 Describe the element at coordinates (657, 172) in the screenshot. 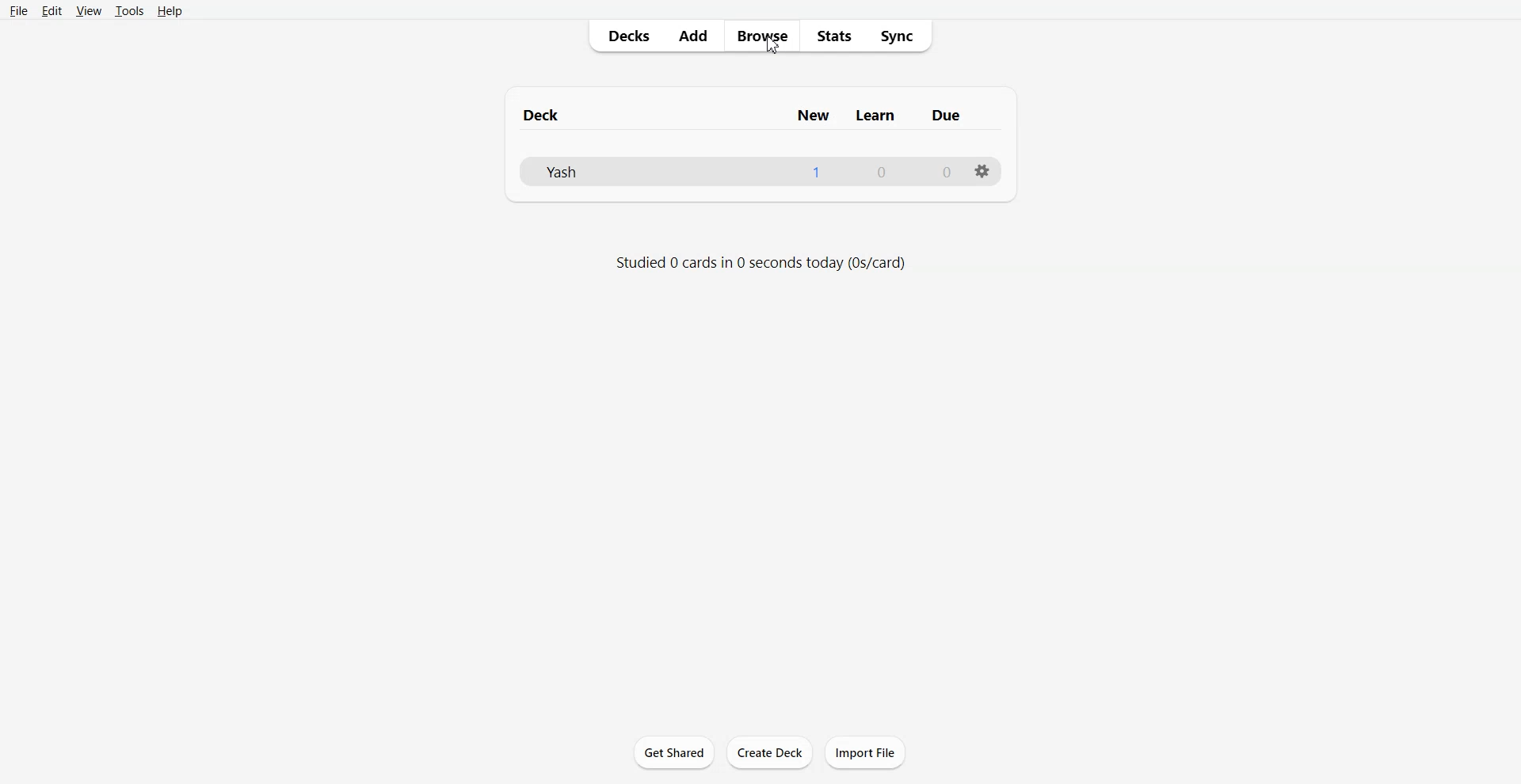

I see `Yash ` at that location.